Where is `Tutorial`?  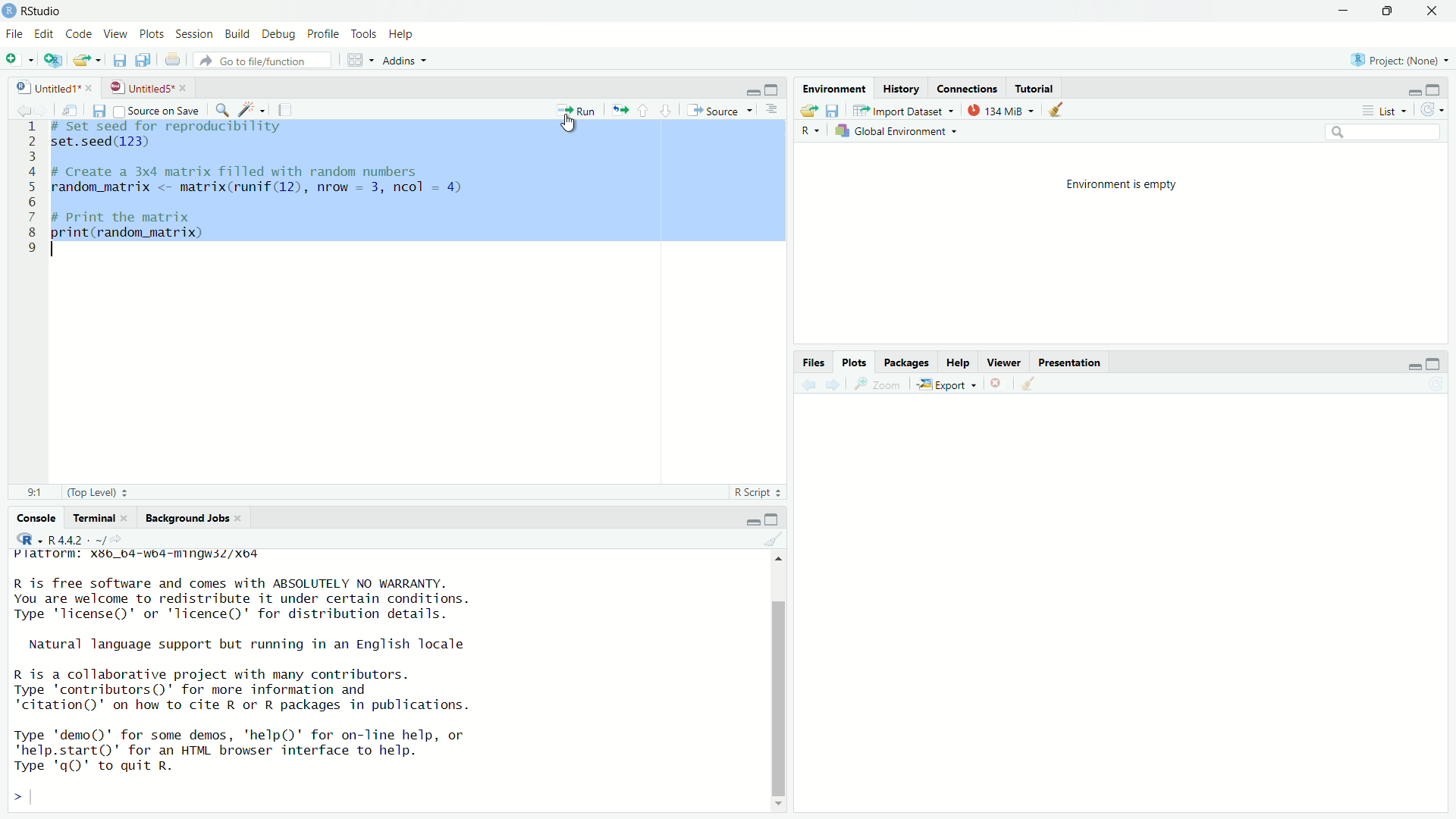 Tutorial is located at coordinates (1035, 87).